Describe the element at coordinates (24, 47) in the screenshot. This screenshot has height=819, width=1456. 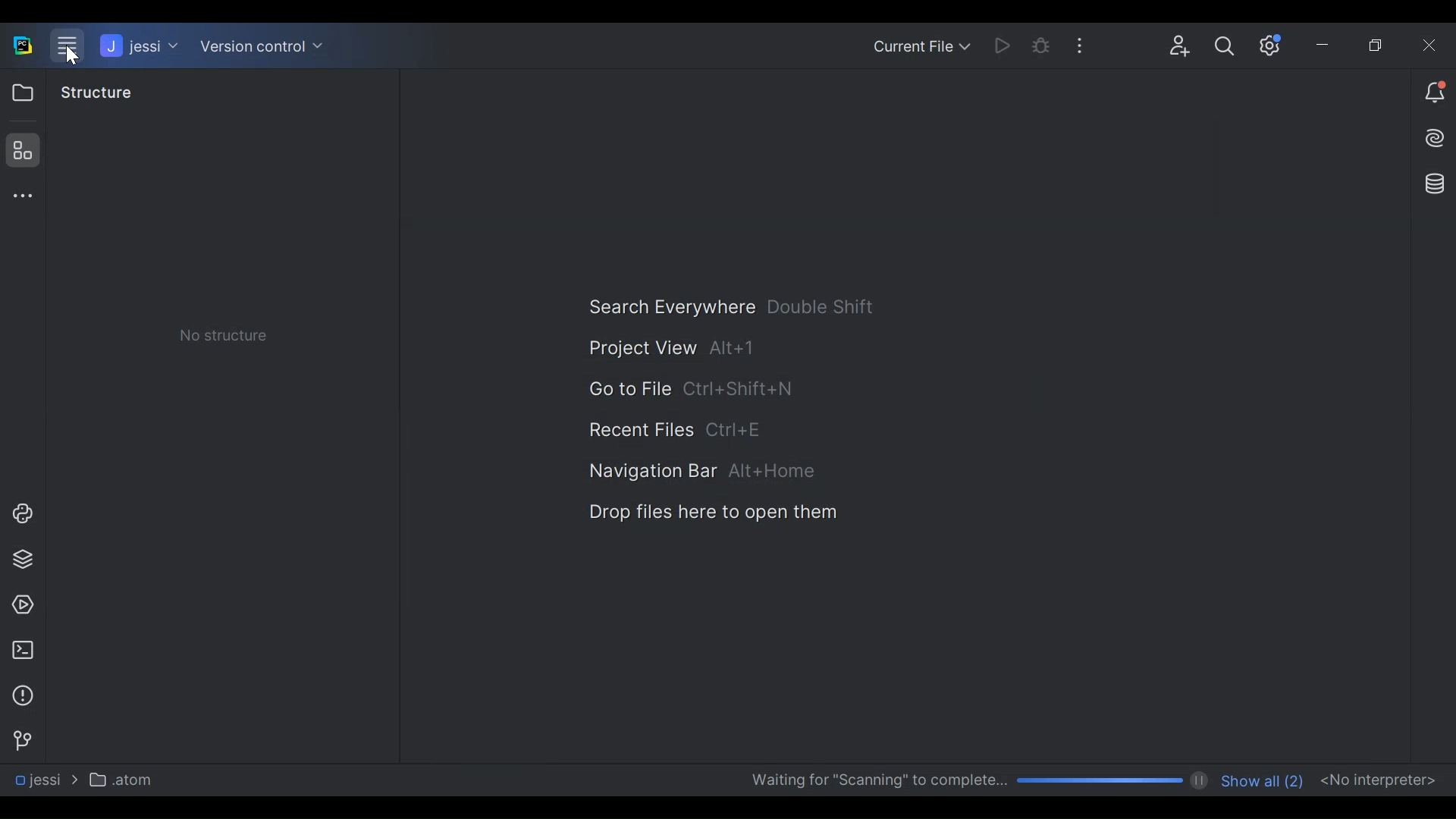
I see `PyCharm Desktop Icon` at that location.